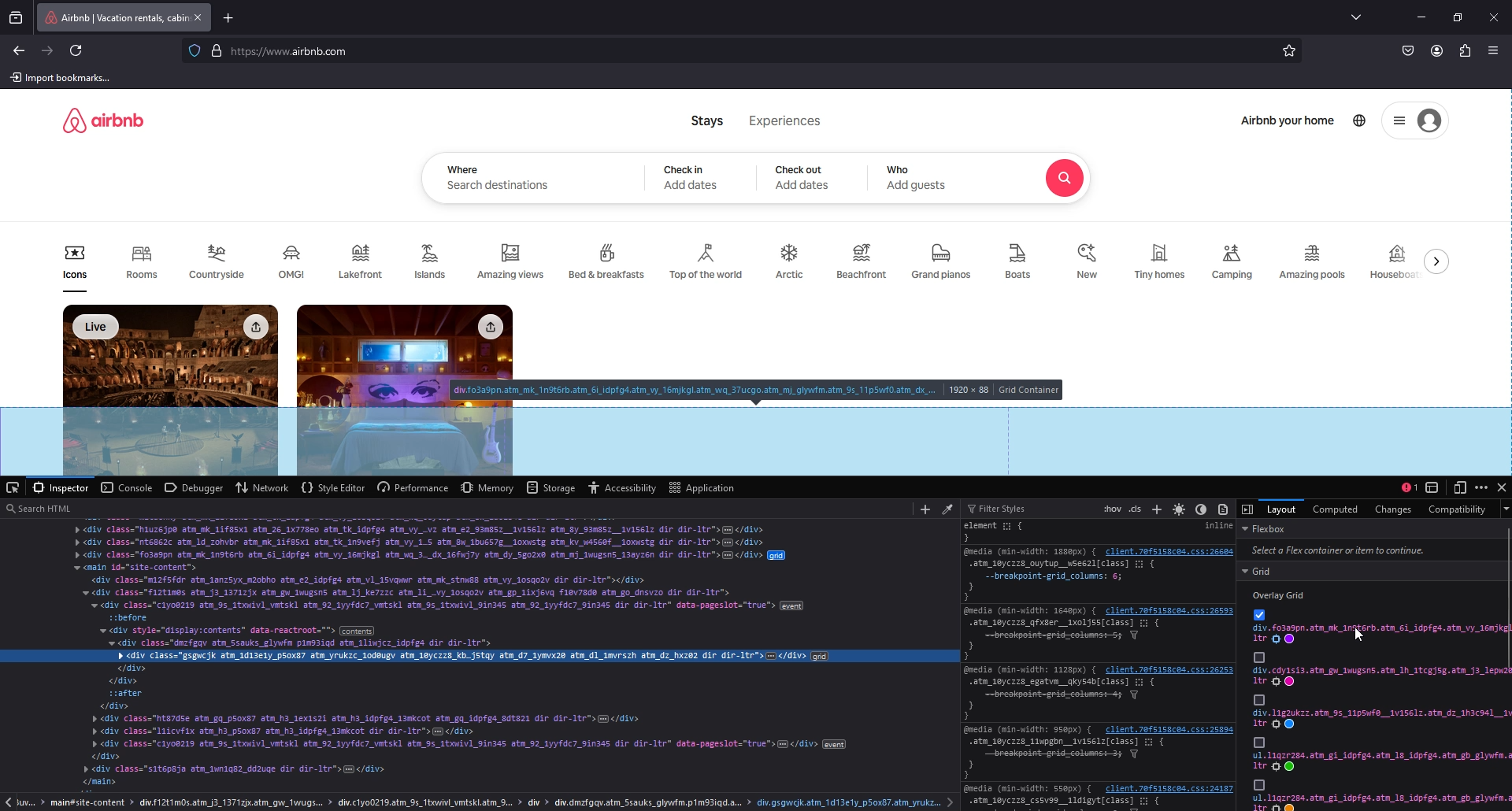  I want to click on close, so click(1503, 486).